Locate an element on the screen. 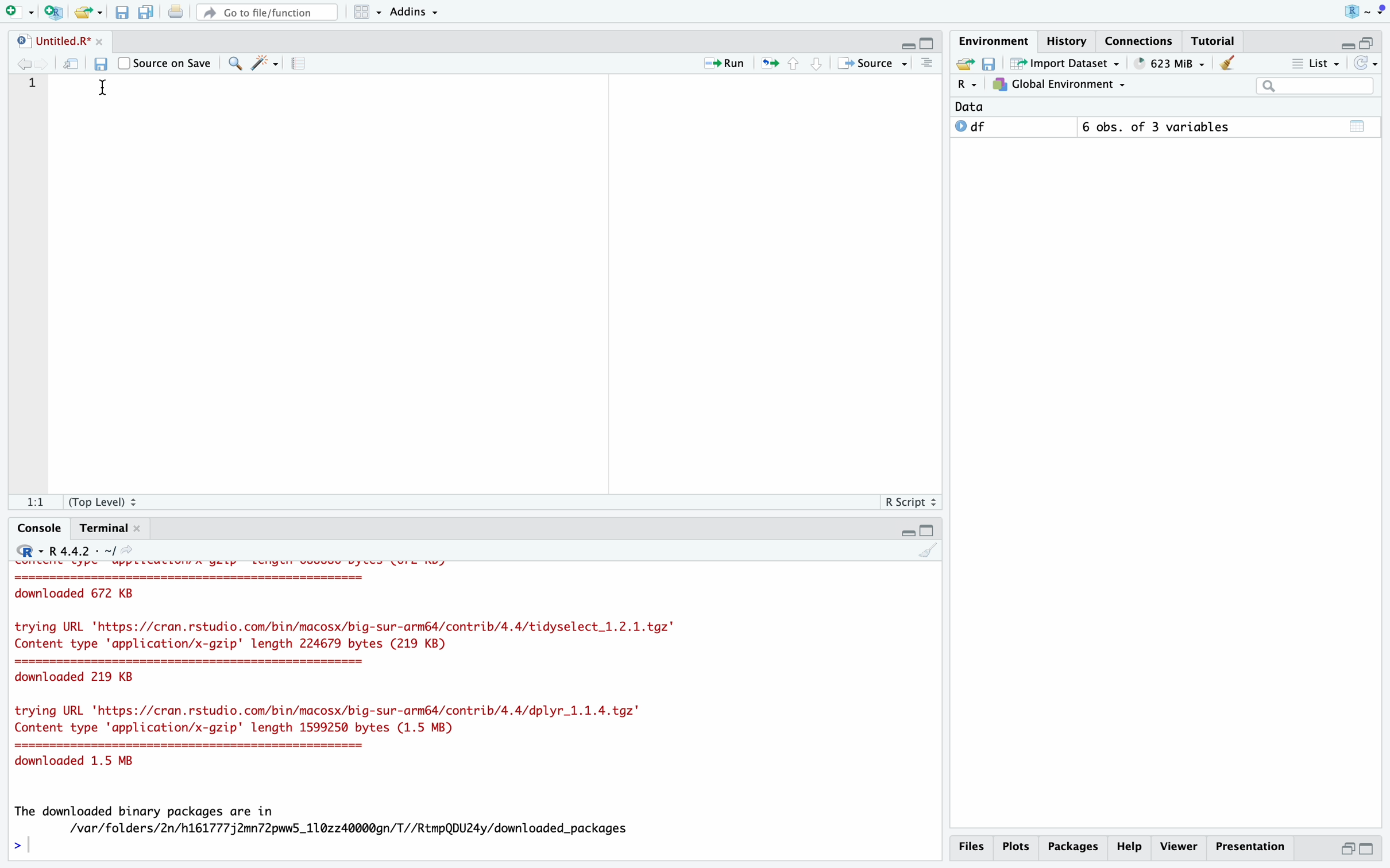 The width and height of the screenshot is (1390, 868). Clear is located at coordinates (1229, 64).